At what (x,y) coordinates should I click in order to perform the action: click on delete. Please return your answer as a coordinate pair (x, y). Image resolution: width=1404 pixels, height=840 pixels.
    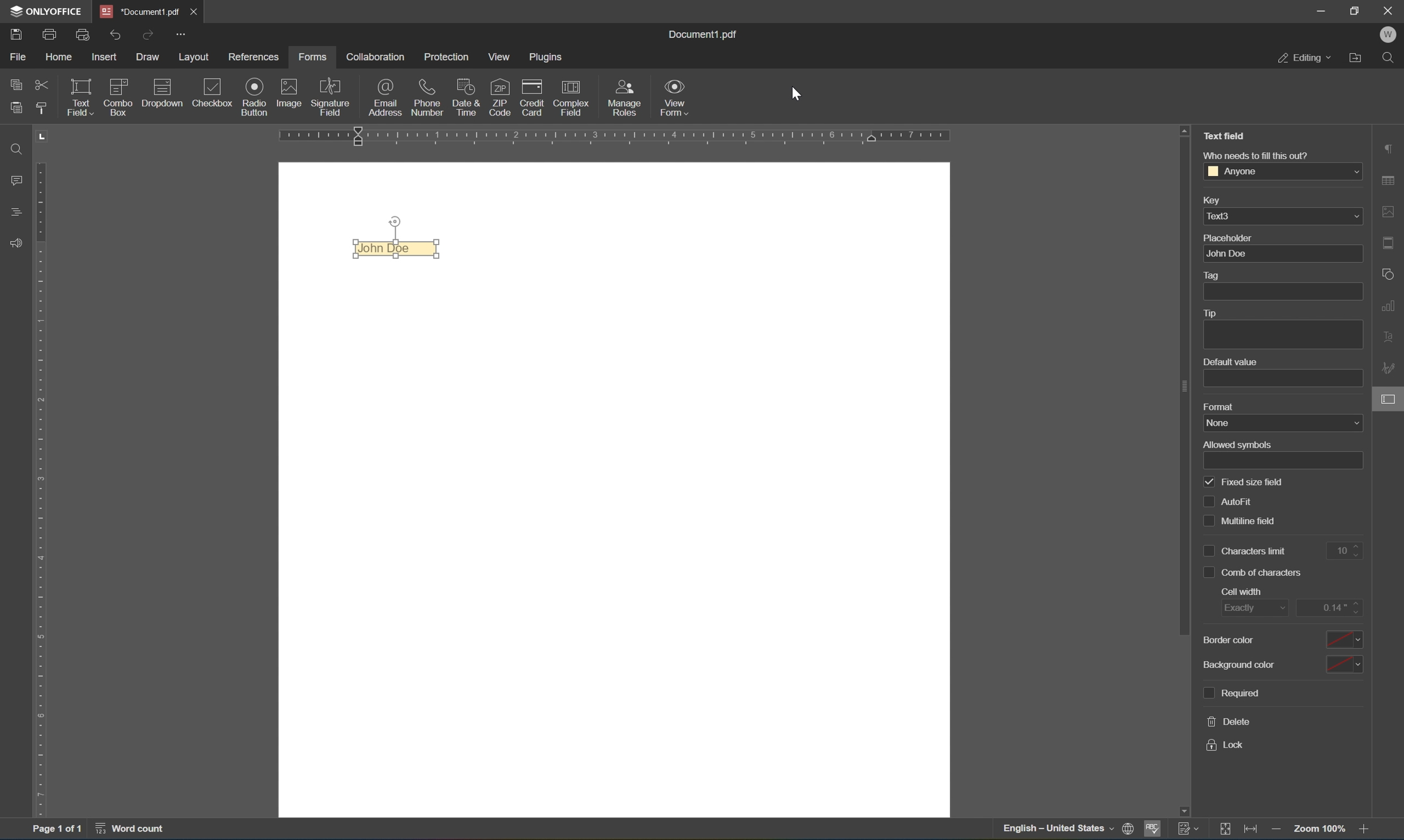
    Looking at the image, I should click on (1228, 721).